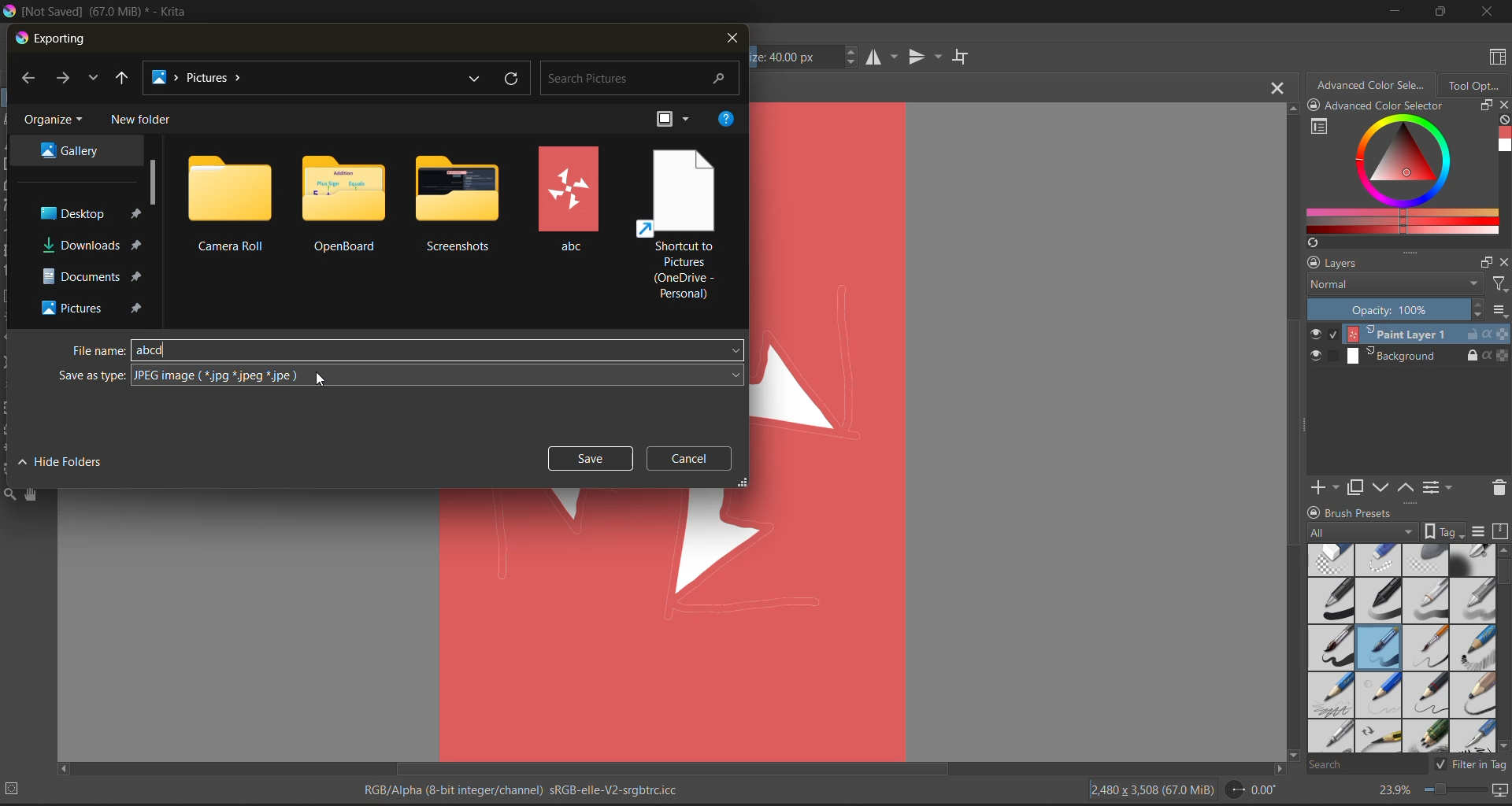 This screenshot has height=806, width=1512. I want to click on storage resources, so click(1502, 532).